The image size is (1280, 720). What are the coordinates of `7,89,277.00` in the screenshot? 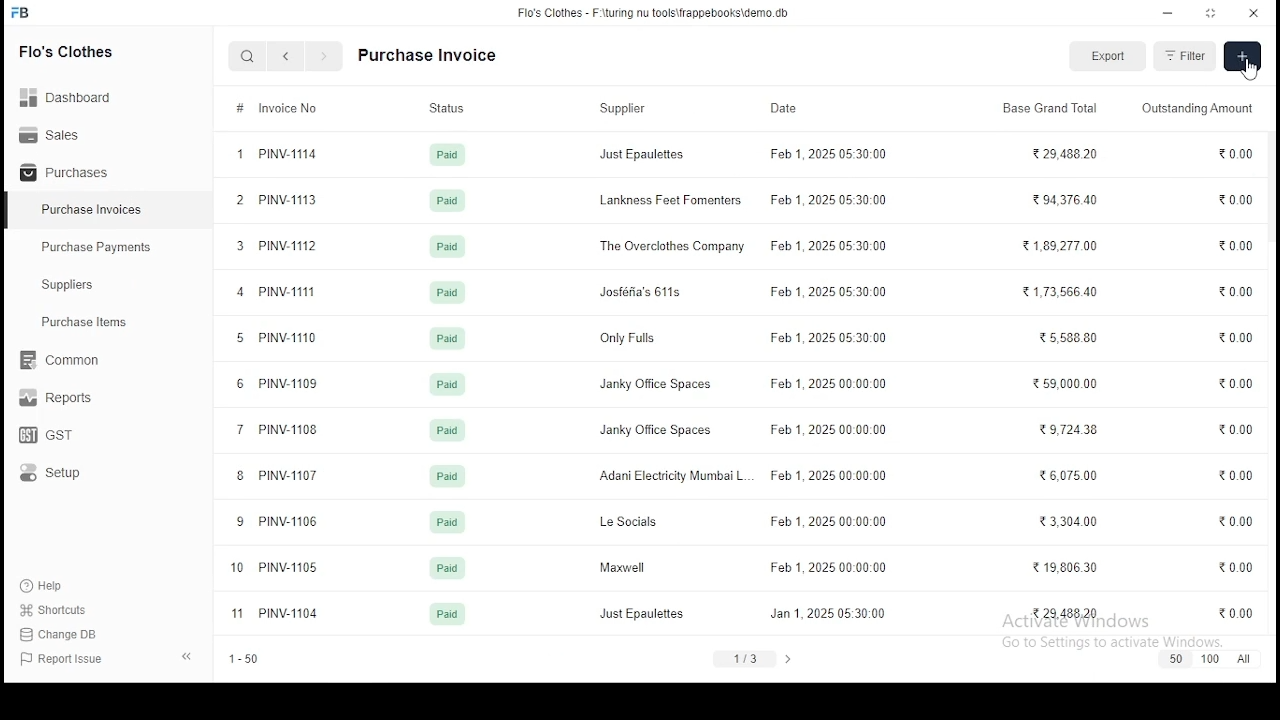 It's located at (1064, 246).